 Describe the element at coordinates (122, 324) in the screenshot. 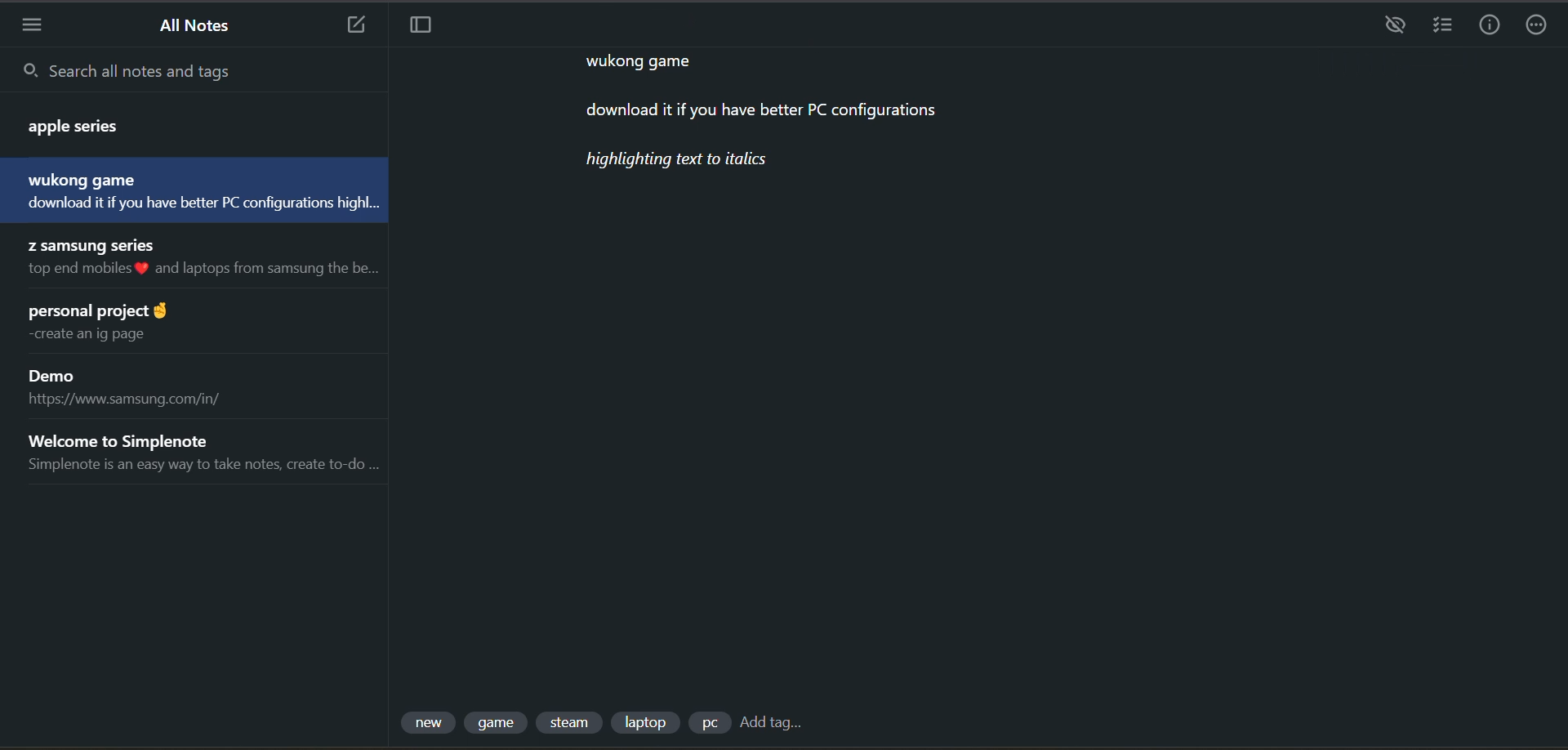

I see `note title and preview` at that location.